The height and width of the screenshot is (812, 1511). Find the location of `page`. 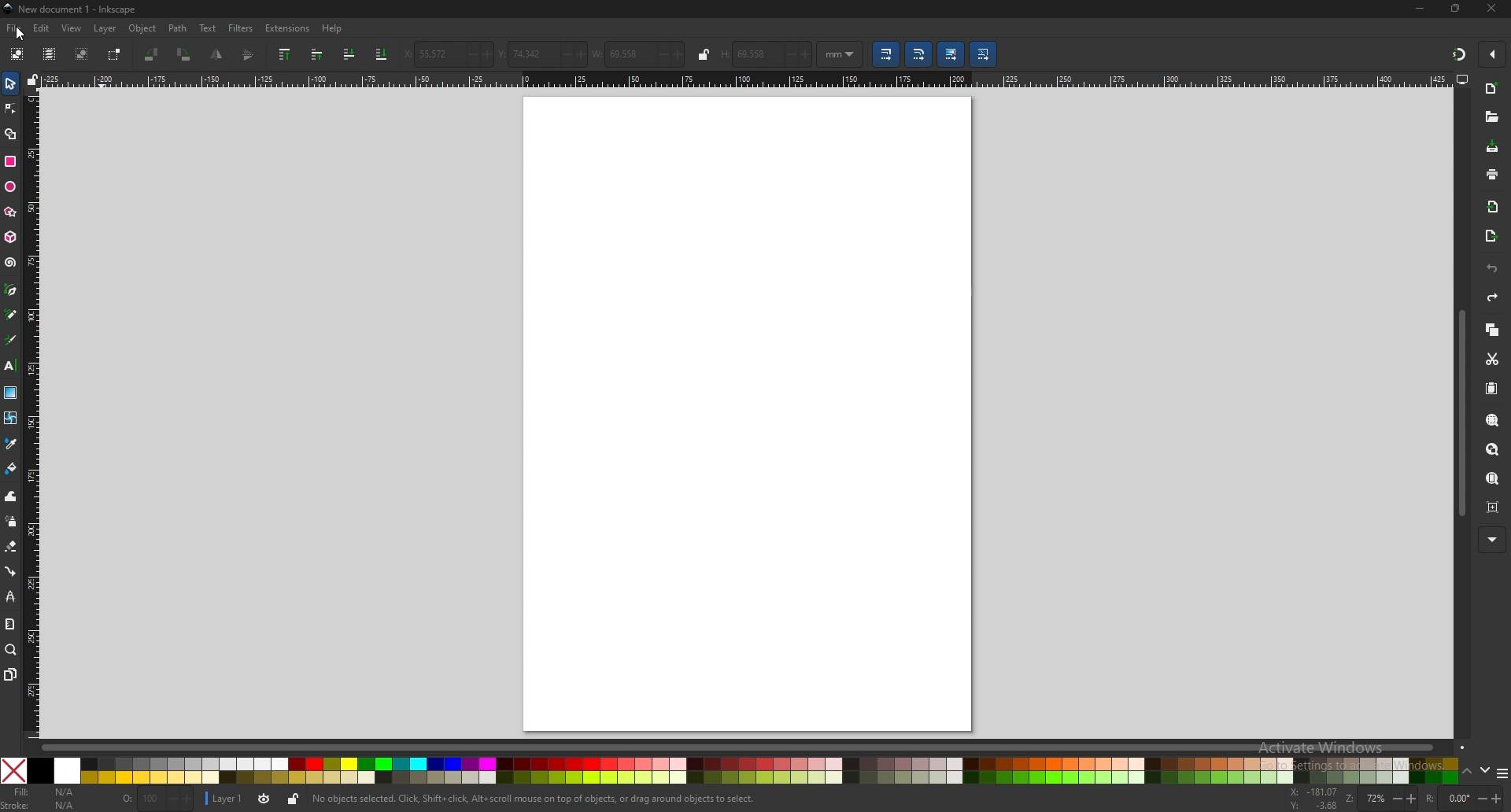

page is located at coordinates (748, 413).